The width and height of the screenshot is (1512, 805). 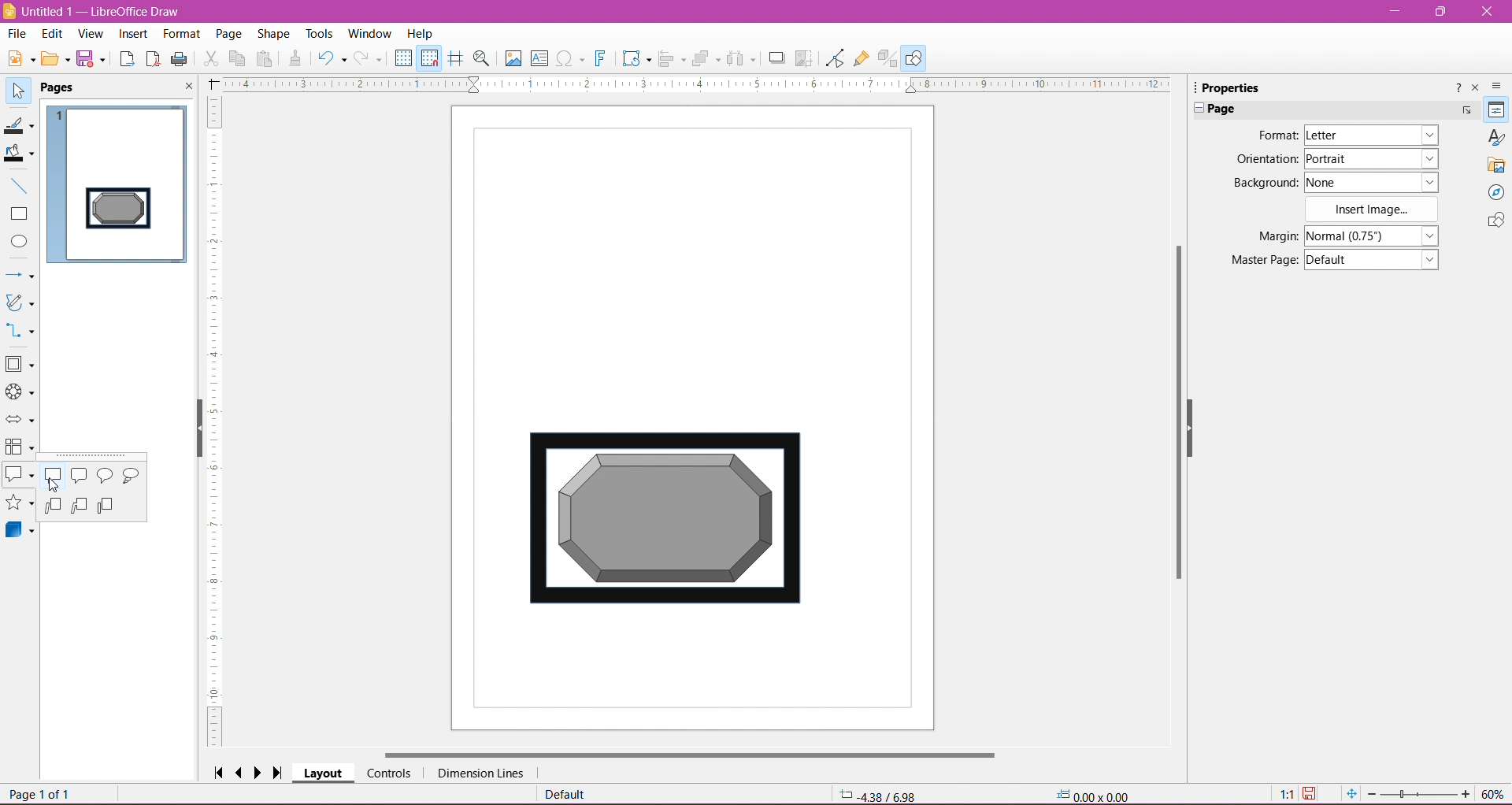 What do you see at coordinates (671, 61) in the screenshot?
I see `Align Objects` at bounding box center [671, 61].